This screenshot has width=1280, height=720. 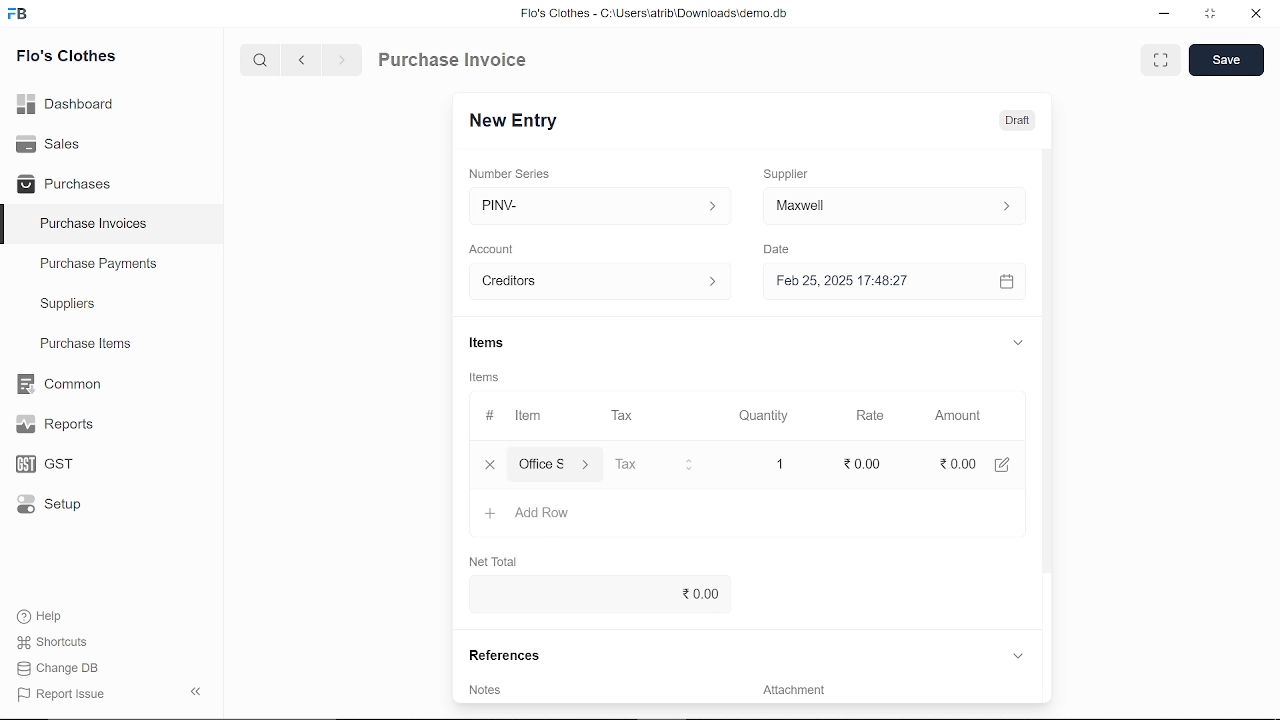 I want to click on close, so click(x=1254, y=16).